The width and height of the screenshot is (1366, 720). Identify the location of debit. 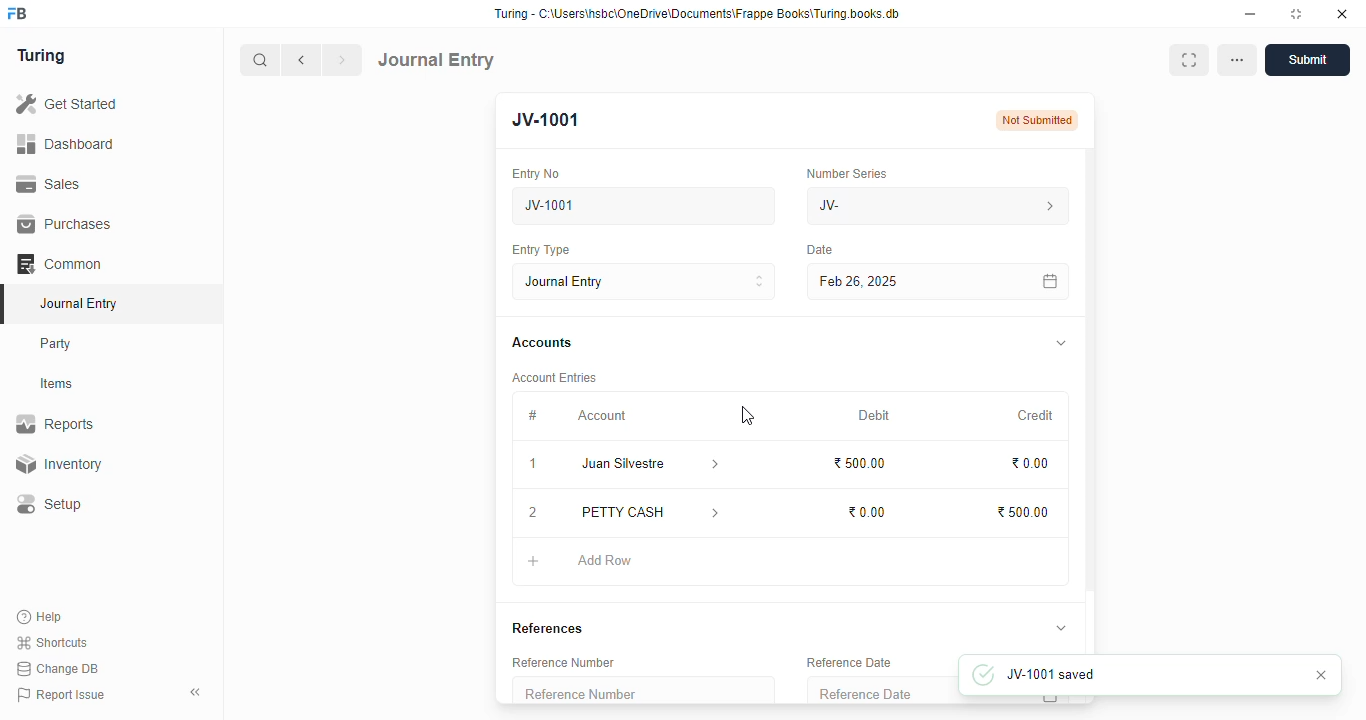
(875, 415).